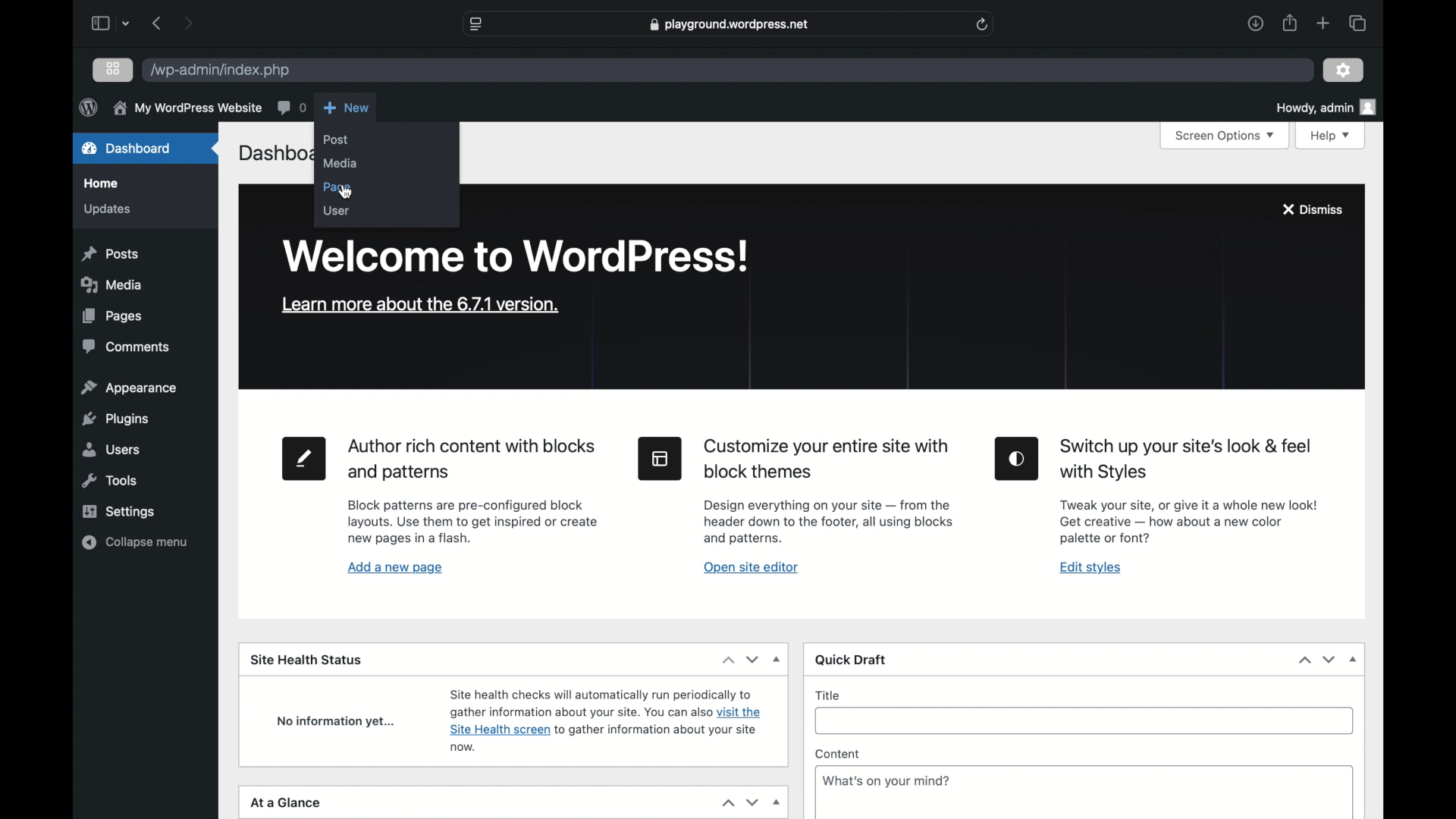  What do you see at coordinates (337, 721) in the screenshot?
I see `no information yet` at bounding box center [337, 721].